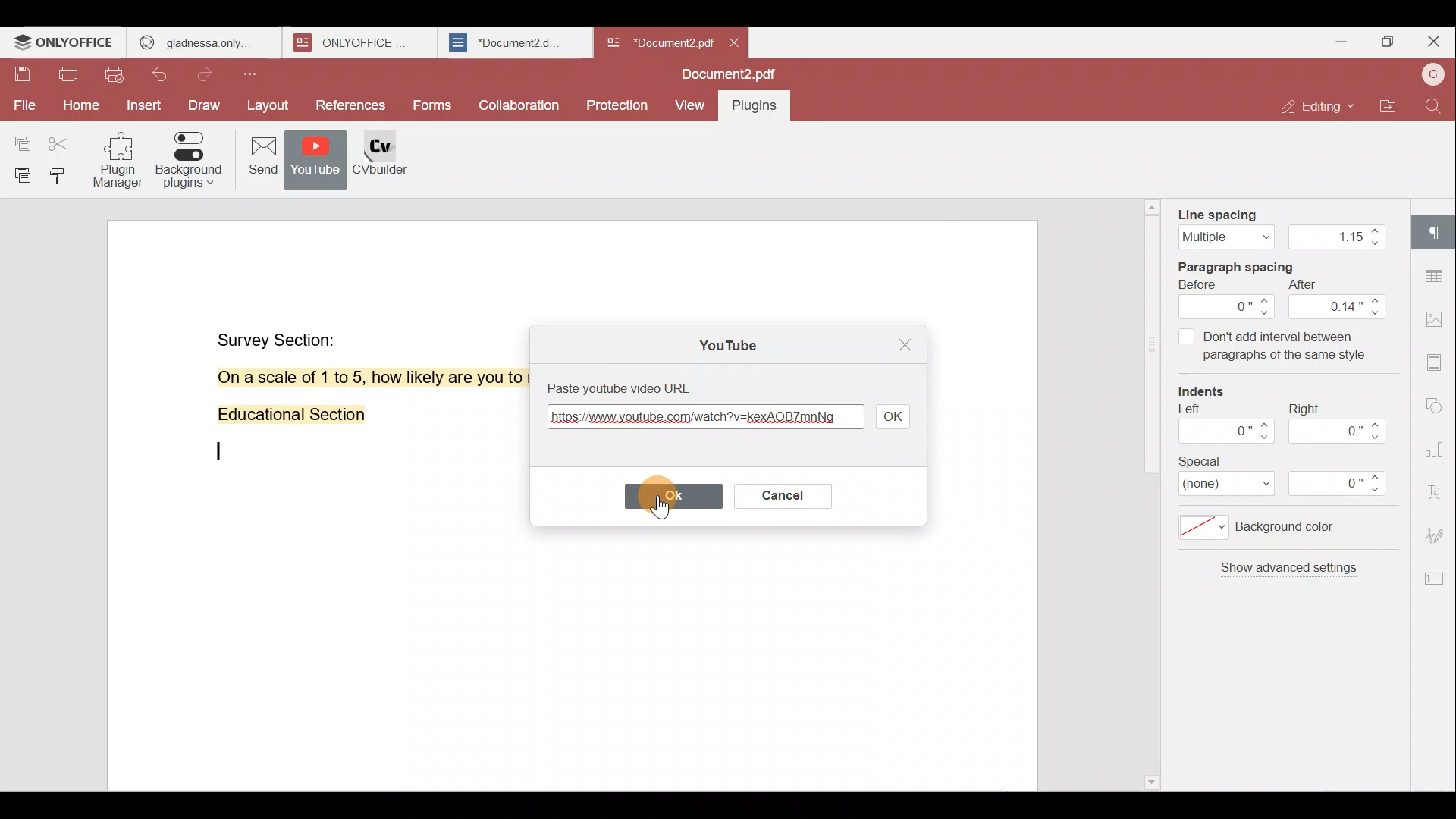 Image resolution: width=1456 pixels, height=819 pixels. Describe the element at coordinates (1439, 441) in the screenshot. I see `Chart settings` at that location.